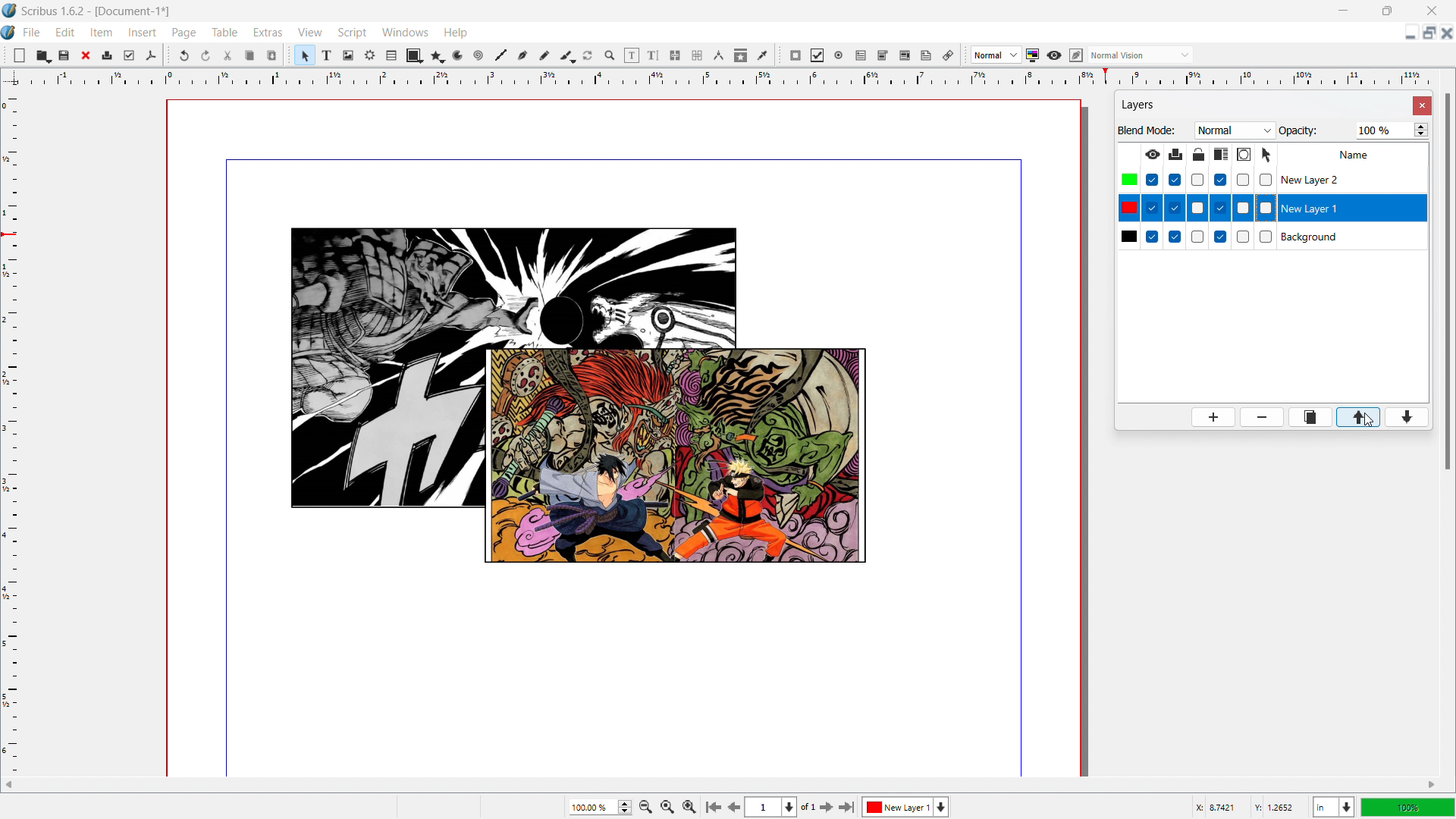 This screenshot has width=1456, height=819. I want to click on colors, so click(1129, 207).